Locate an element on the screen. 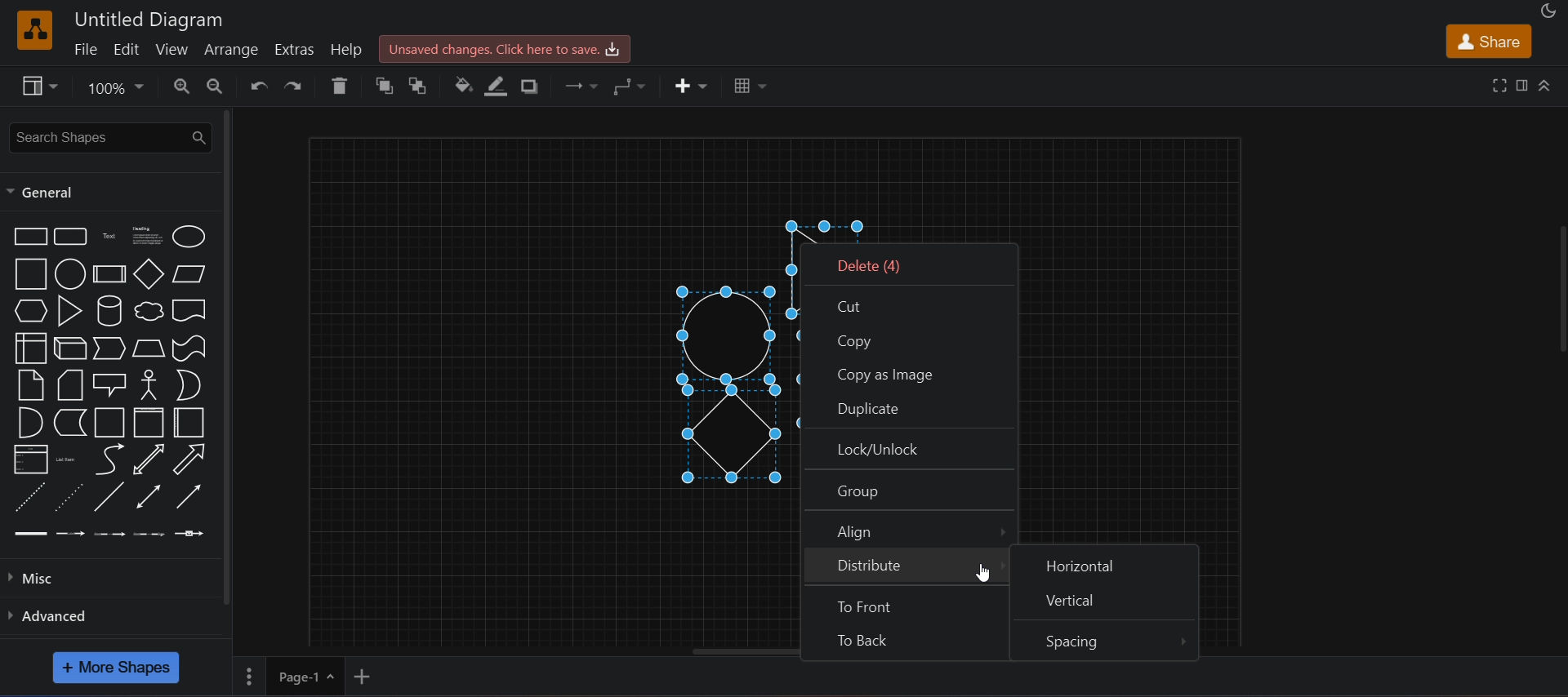 The width and height of the screenshot is (1568, 697). fullscreen is located at coordinates (1497, 85).